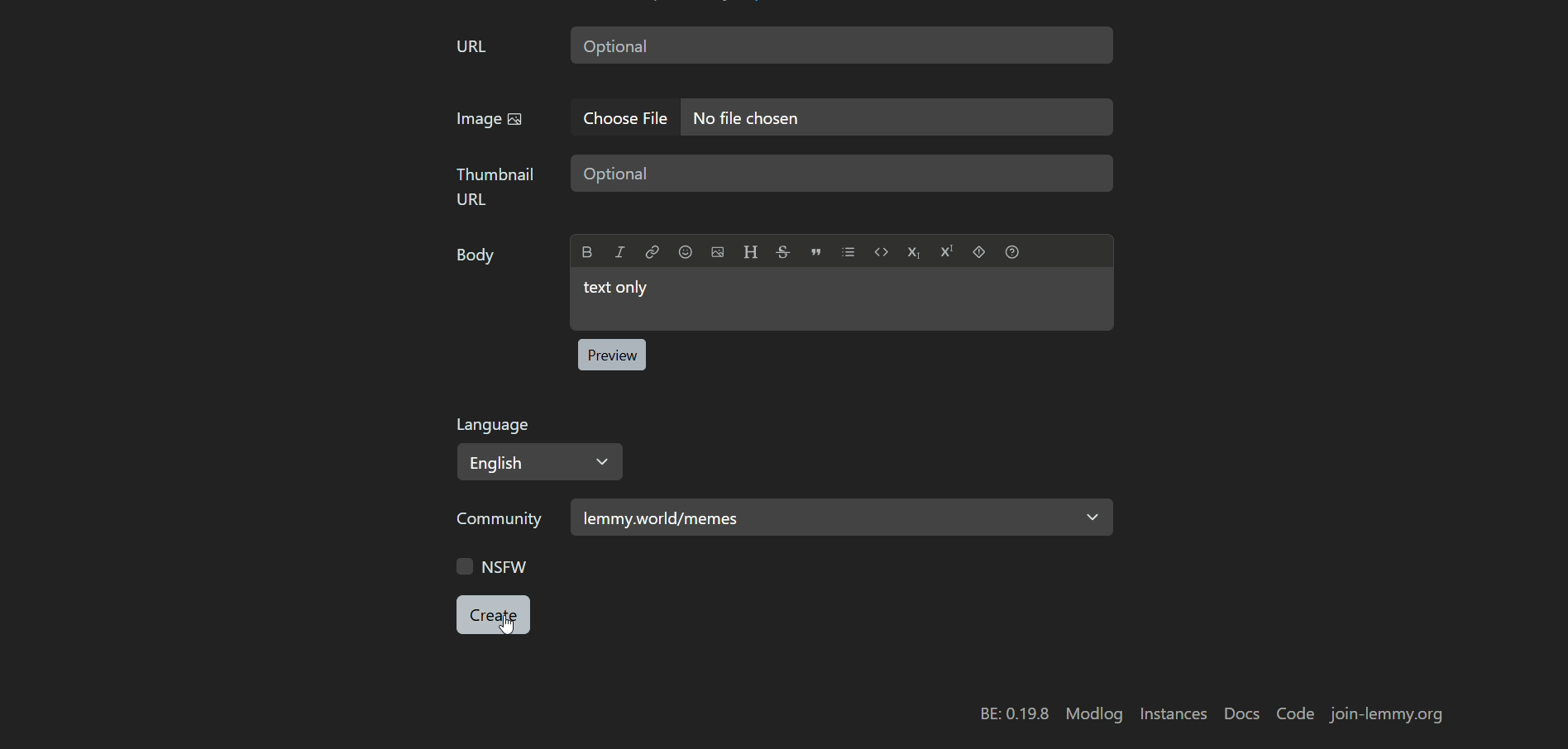  I want to click on Link, so click(652, 251).